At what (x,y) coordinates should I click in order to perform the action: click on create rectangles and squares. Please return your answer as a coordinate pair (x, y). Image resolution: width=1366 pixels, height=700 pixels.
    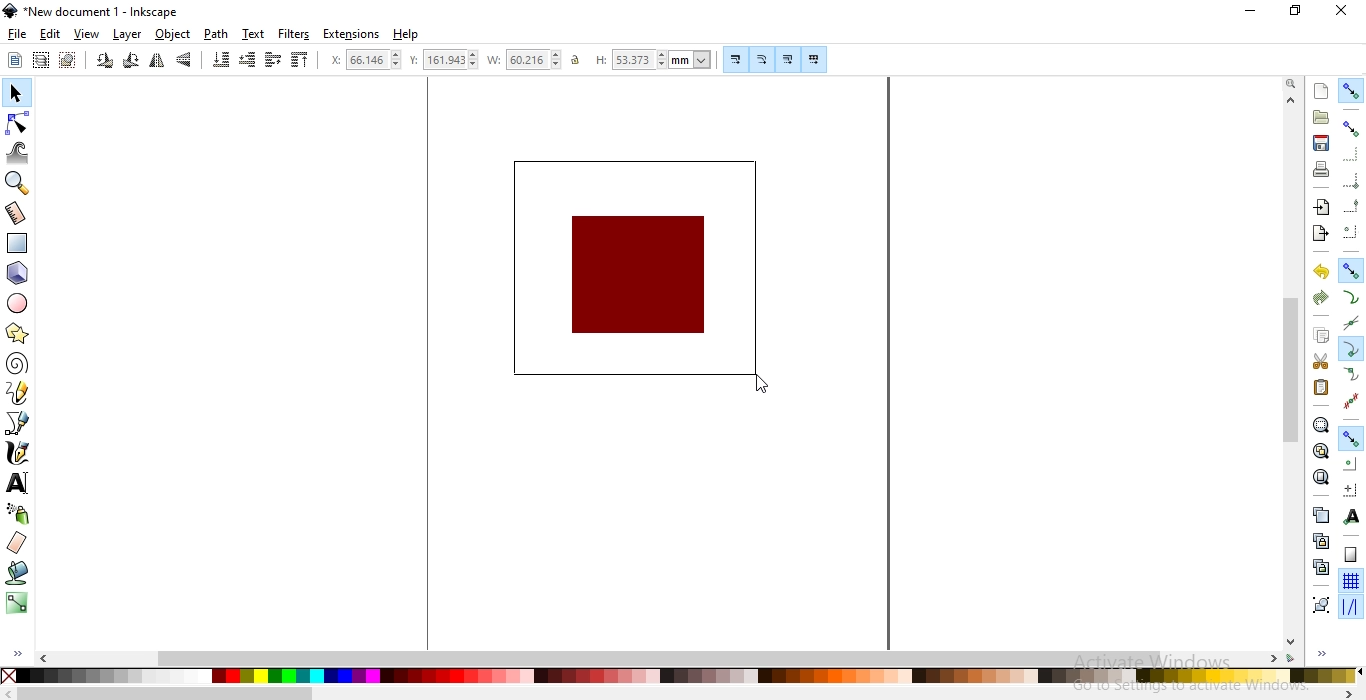
    Looking at the image, I should click on (20, 244).